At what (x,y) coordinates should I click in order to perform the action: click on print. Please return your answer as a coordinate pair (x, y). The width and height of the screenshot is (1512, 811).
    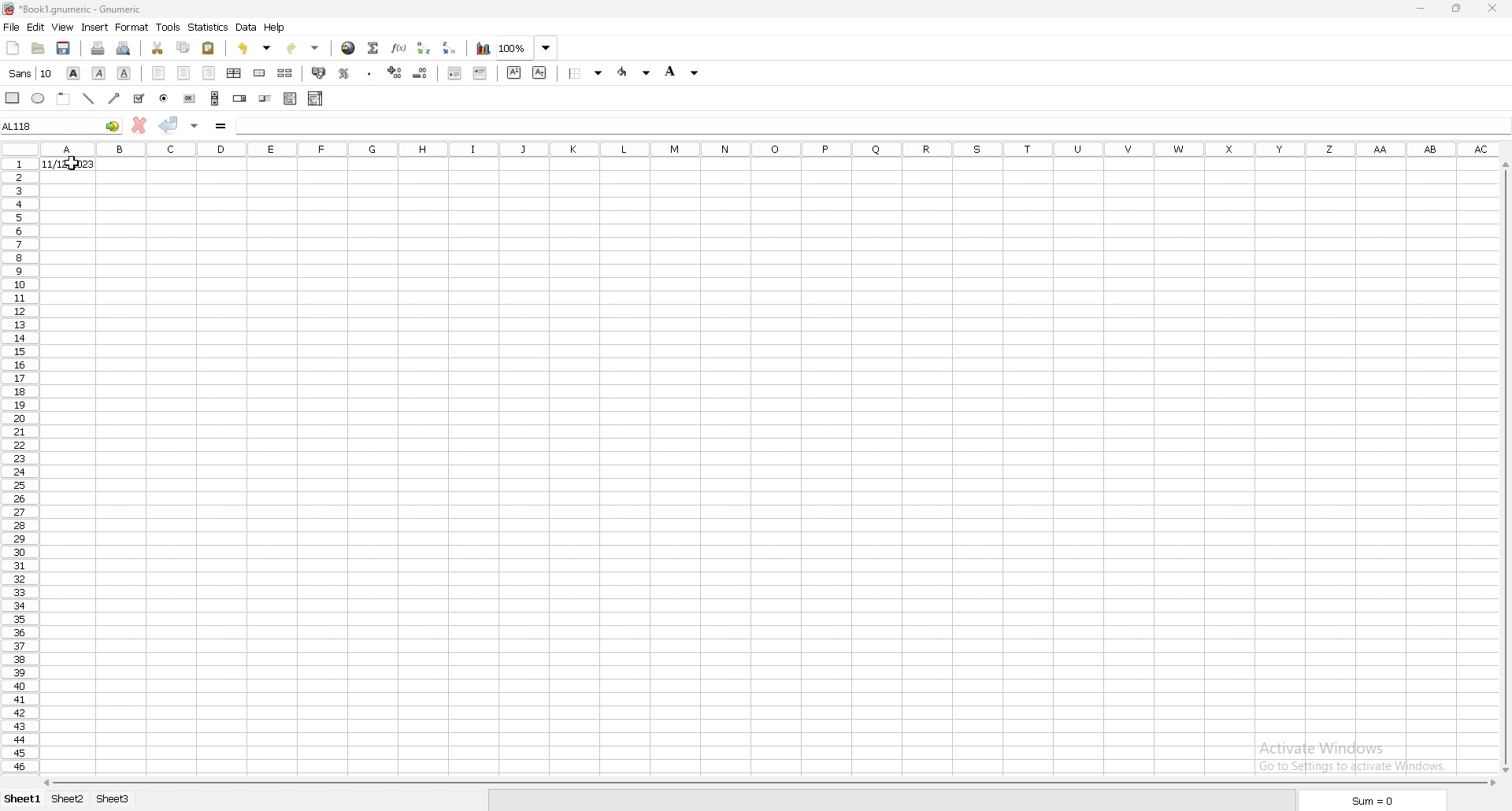
    Looking at the image, I should click on (98, 48).